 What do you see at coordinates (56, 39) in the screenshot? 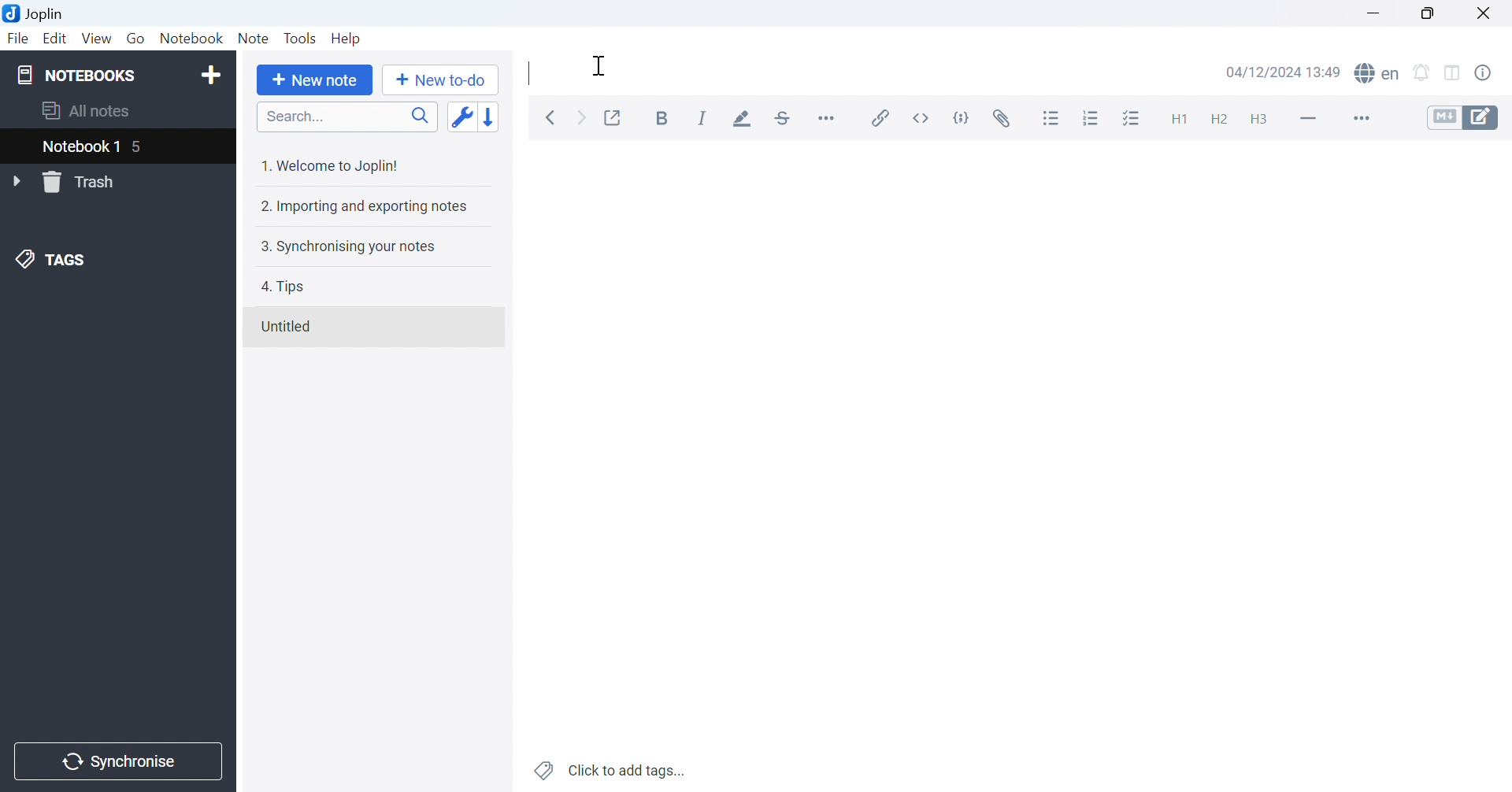
I see `Edit` at bounding box center [56, 39].